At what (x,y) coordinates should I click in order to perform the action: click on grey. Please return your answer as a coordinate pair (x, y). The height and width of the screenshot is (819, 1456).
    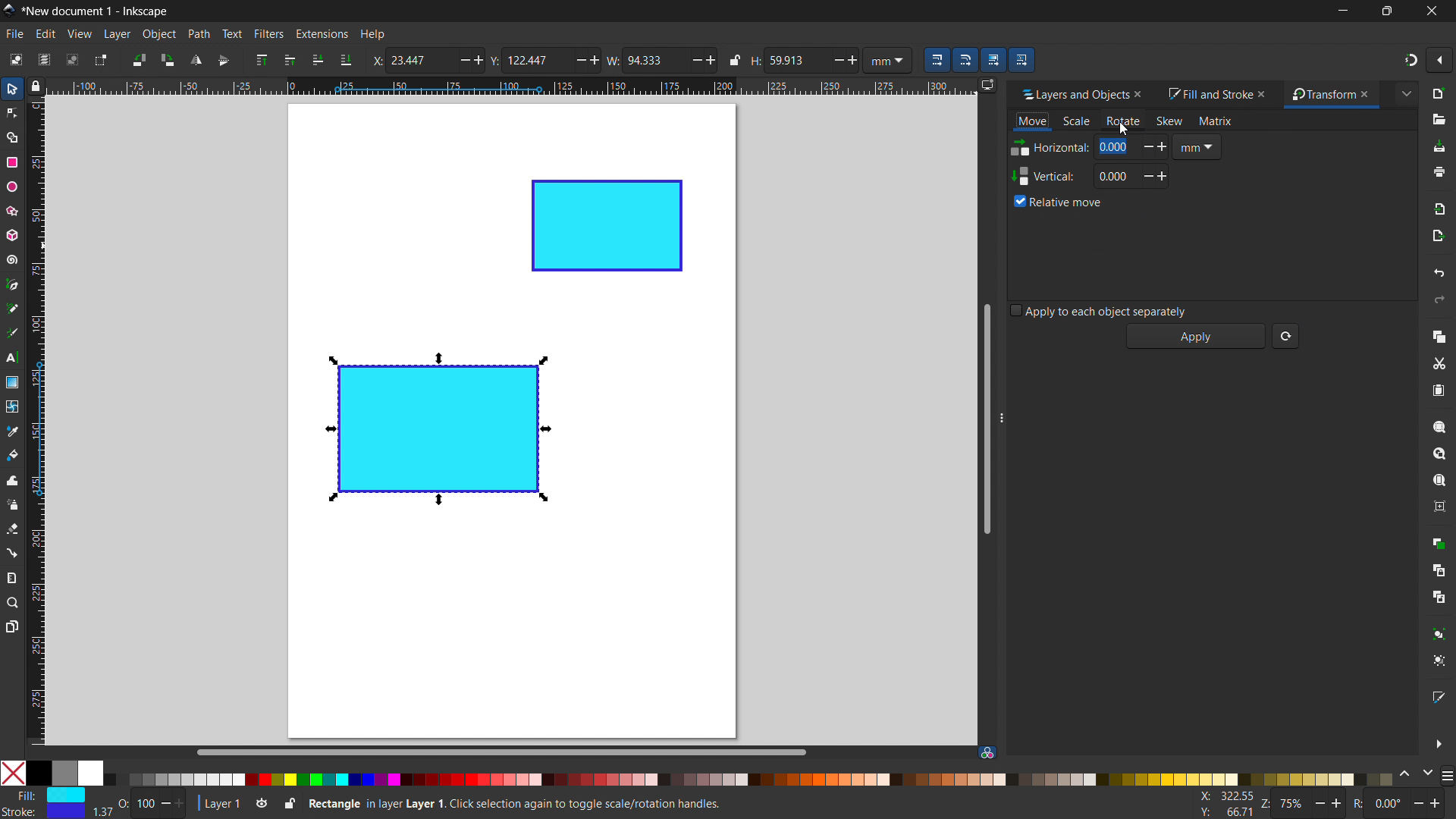
    Looking at the image, I should click on (64, 773).